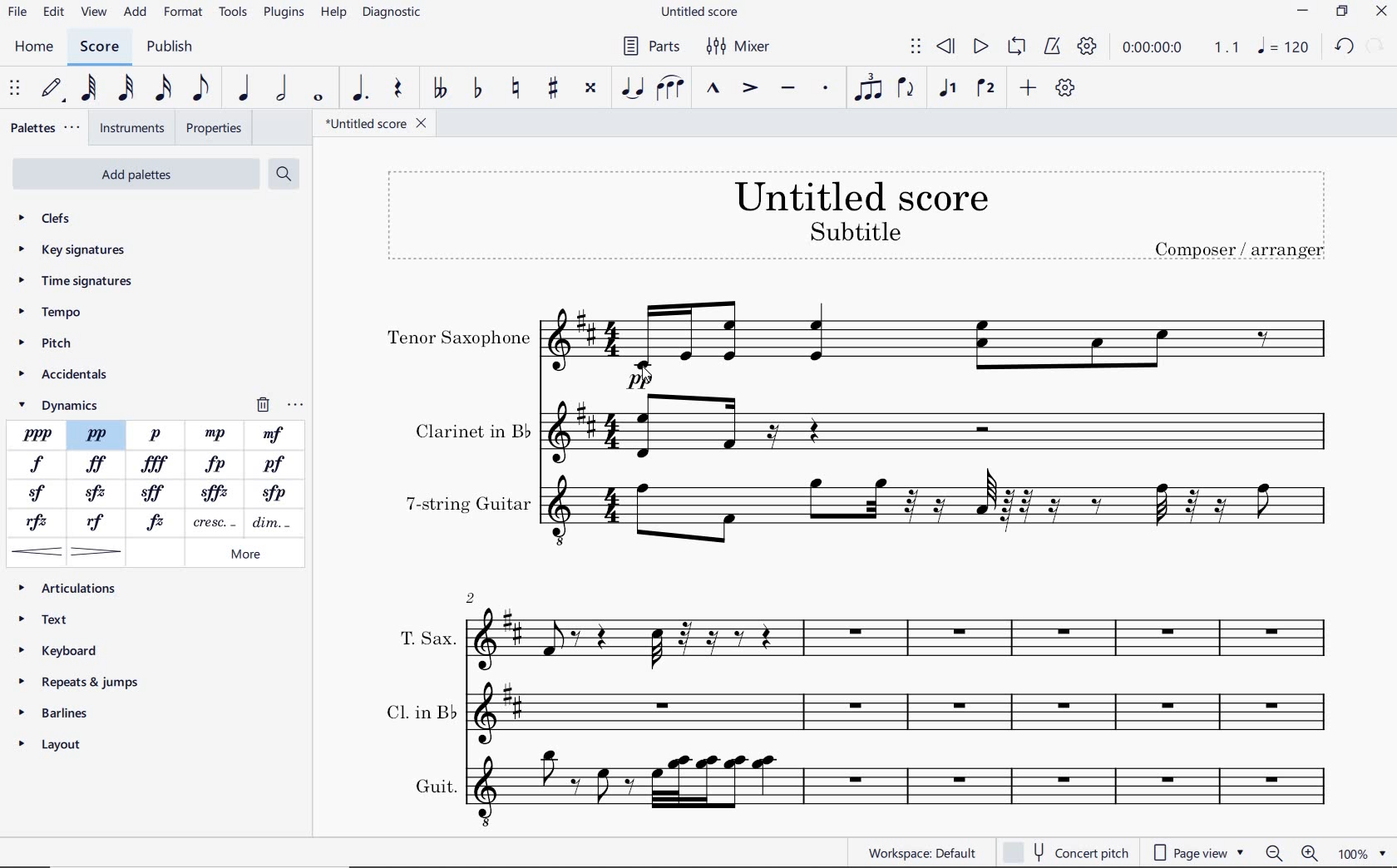  What do you see at coordinates (1361, 853) in the screenshot?
I see `zoom factor` at bounding box center [1361, 853].